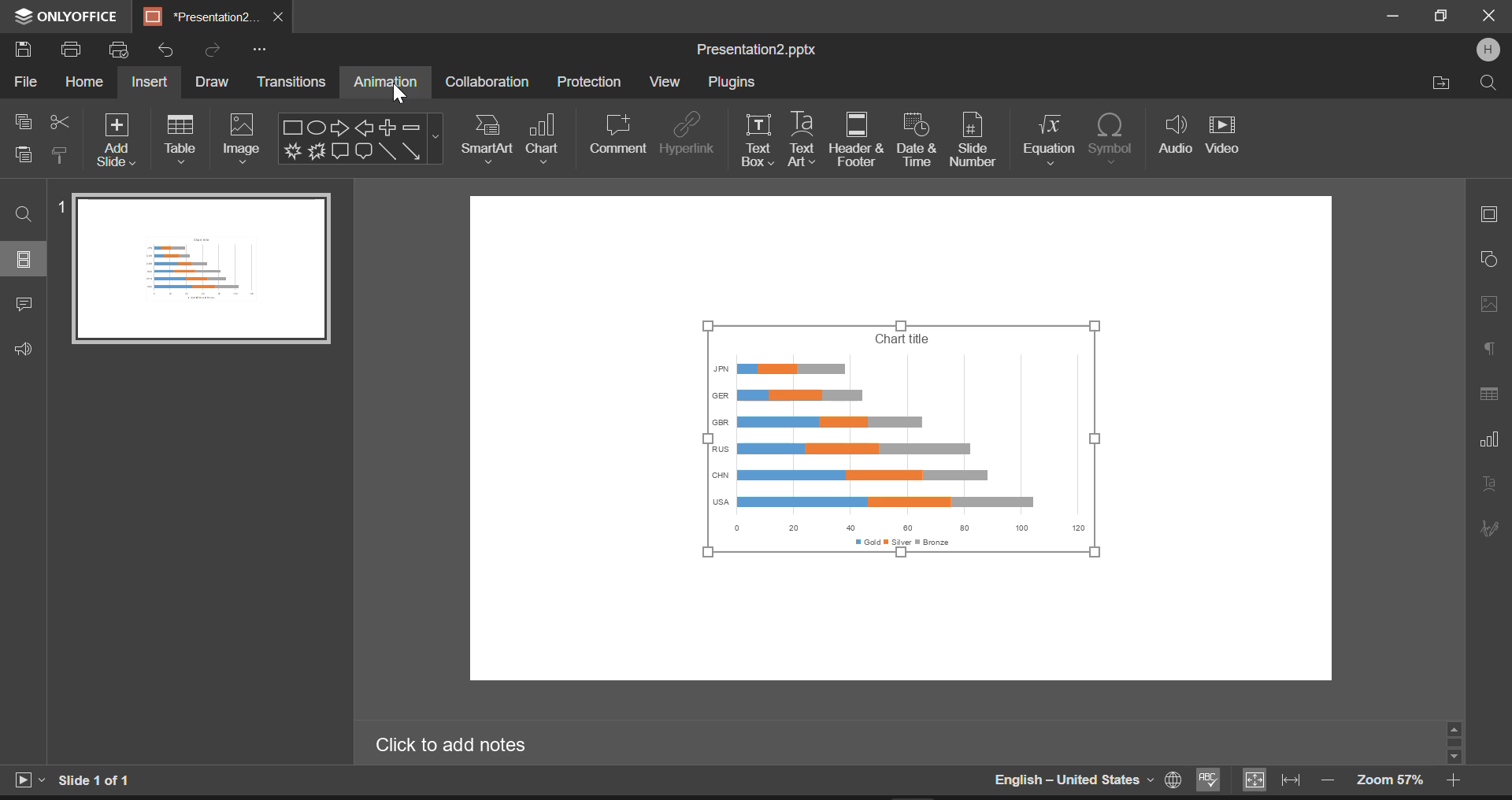 The width and height of the screenshot is (1512, 800). I want to click on Cut, so click(60, 119).